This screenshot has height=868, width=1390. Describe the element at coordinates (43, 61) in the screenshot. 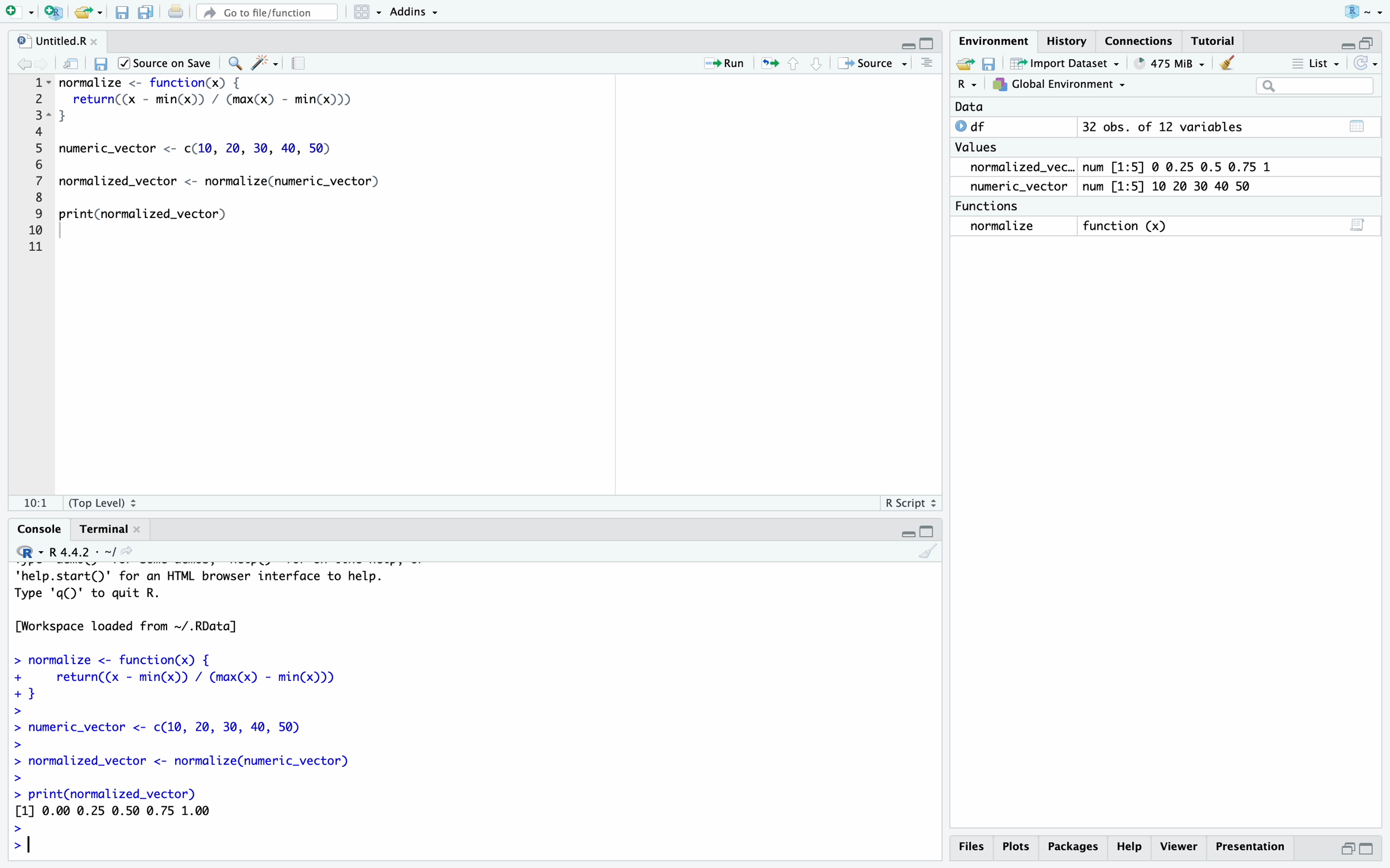

I see `Go forward to the next source location (Ctrl + F10)` at that location.